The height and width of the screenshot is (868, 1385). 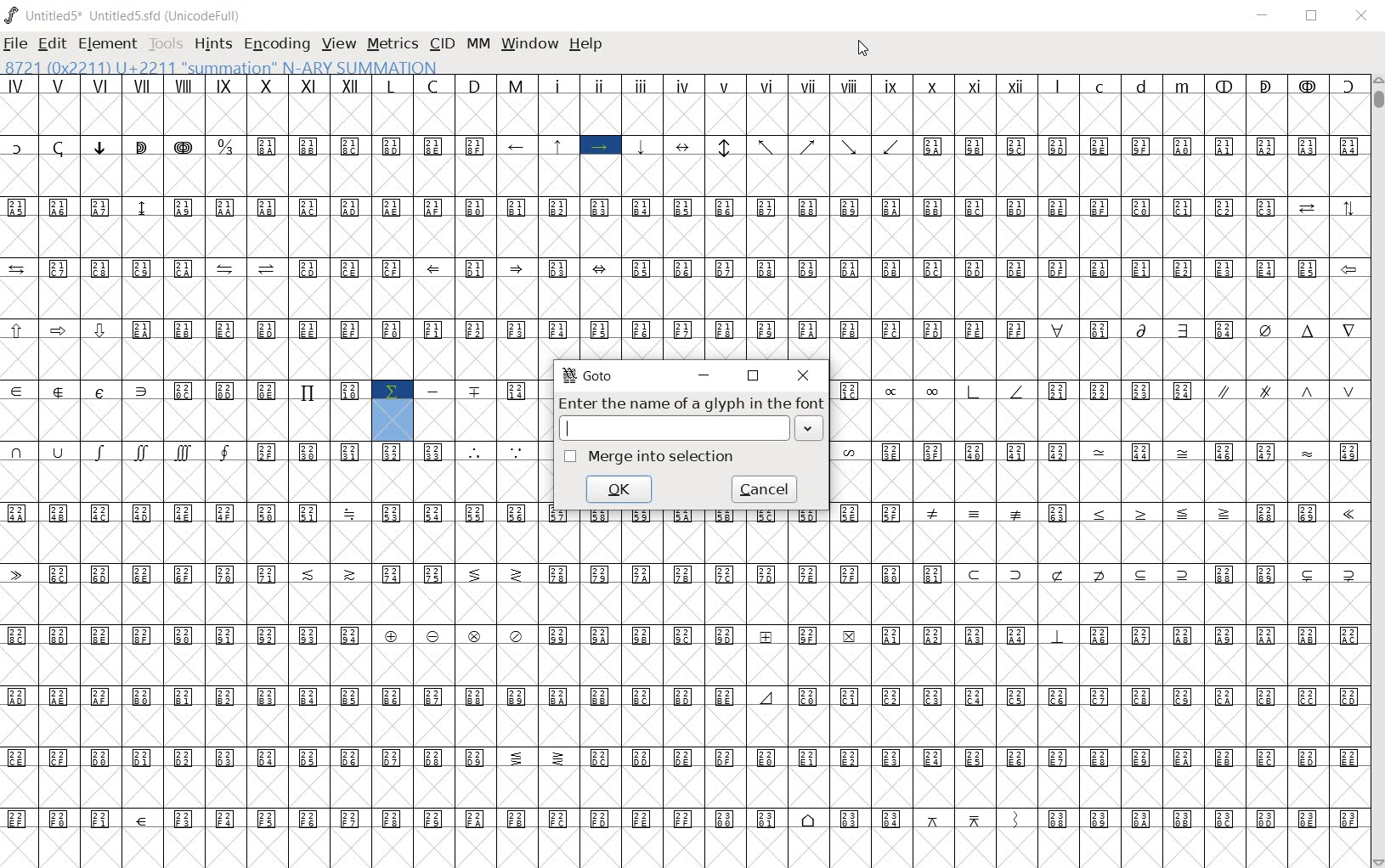 I want to click on CURSOR, so click(x=863, y=48).